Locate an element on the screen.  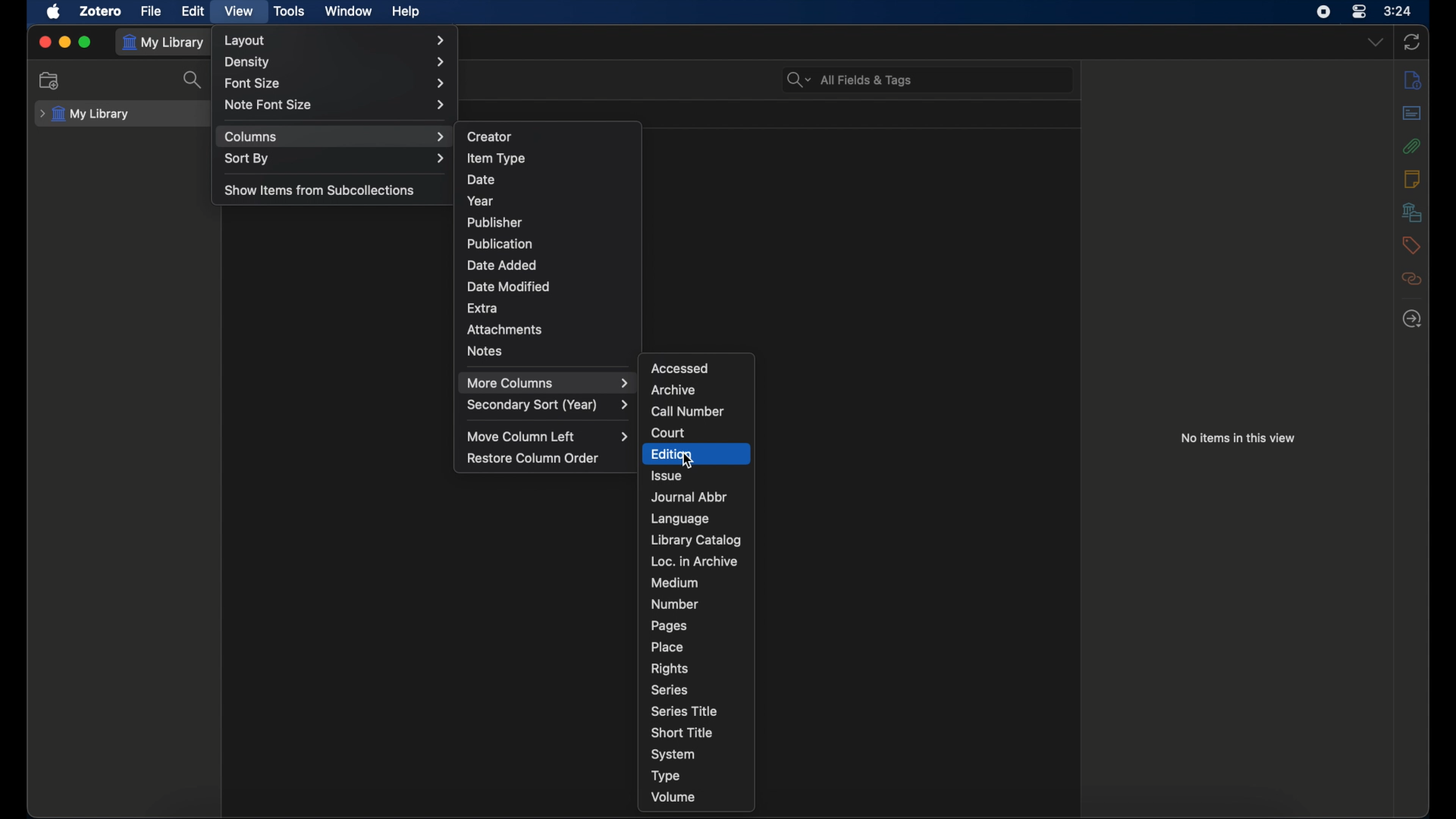
show items from sub collections is located at coordinates (319, 191).